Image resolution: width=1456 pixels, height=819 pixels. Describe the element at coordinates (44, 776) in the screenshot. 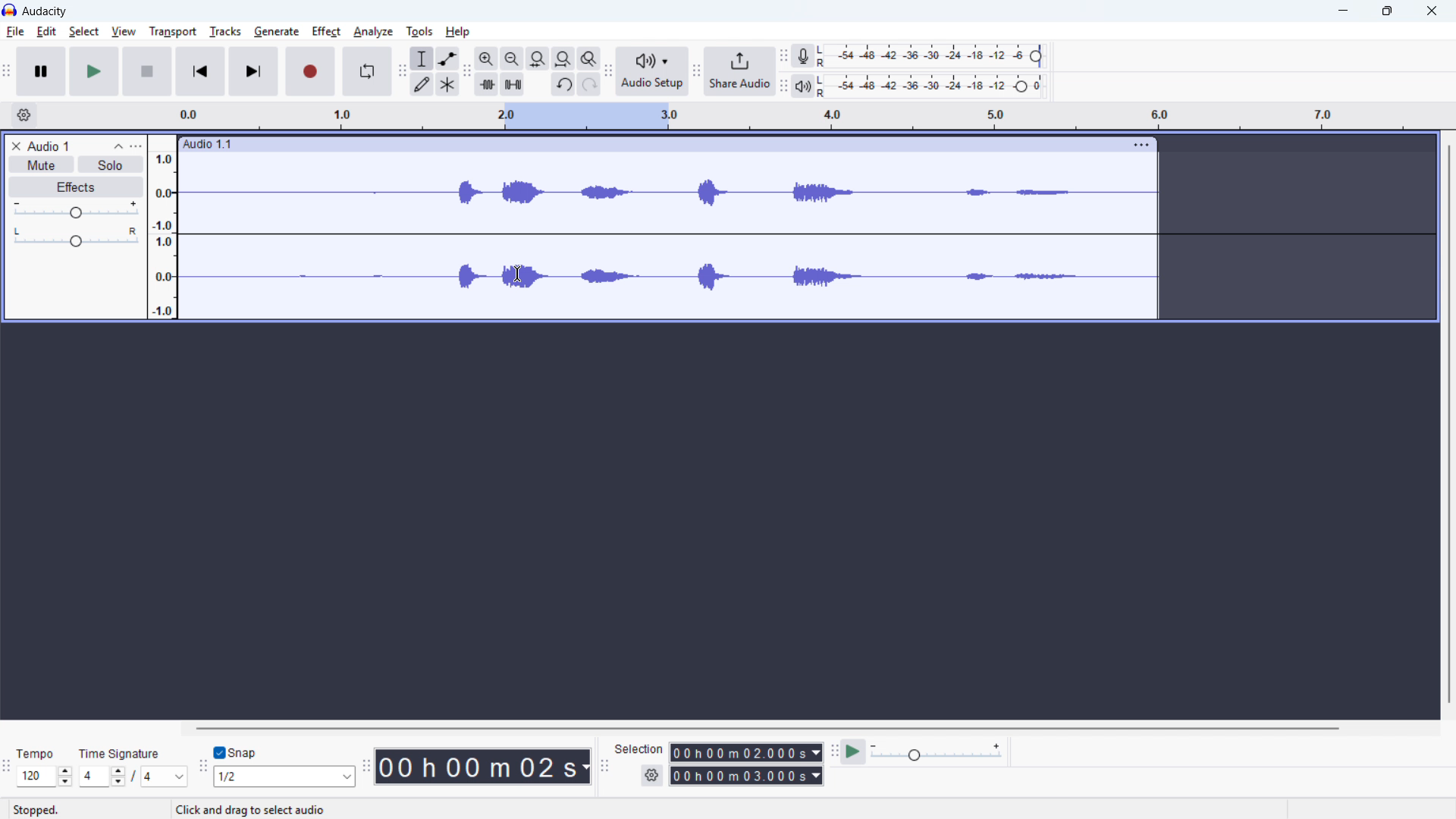

I see `Set tempo` at that location.